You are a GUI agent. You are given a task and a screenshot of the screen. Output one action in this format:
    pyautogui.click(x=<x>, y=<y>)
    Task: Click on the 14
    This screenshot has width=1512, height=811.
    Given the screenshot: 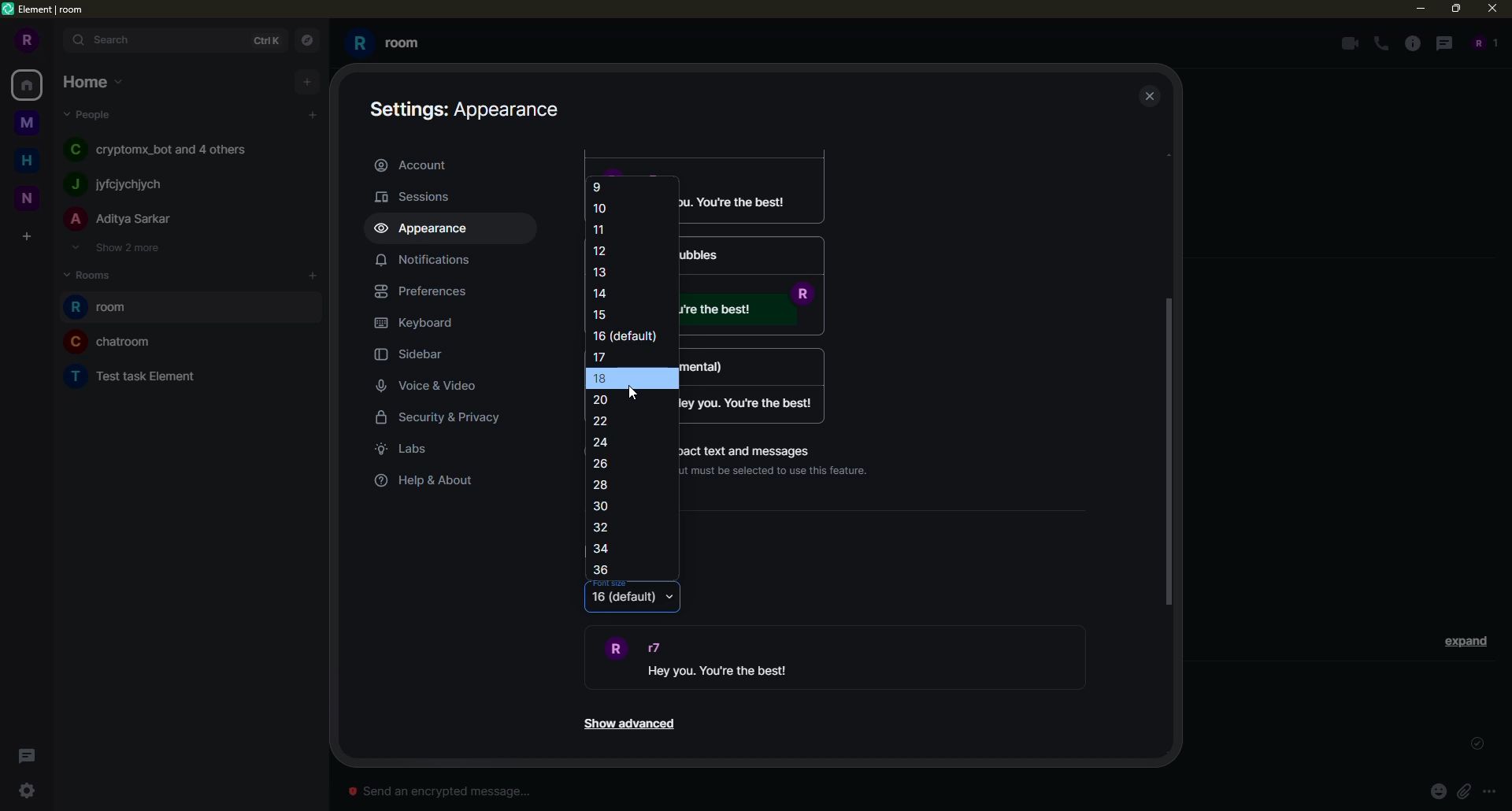 What is the action you would take?
    pyautogui.click(x=602, y=291)
    